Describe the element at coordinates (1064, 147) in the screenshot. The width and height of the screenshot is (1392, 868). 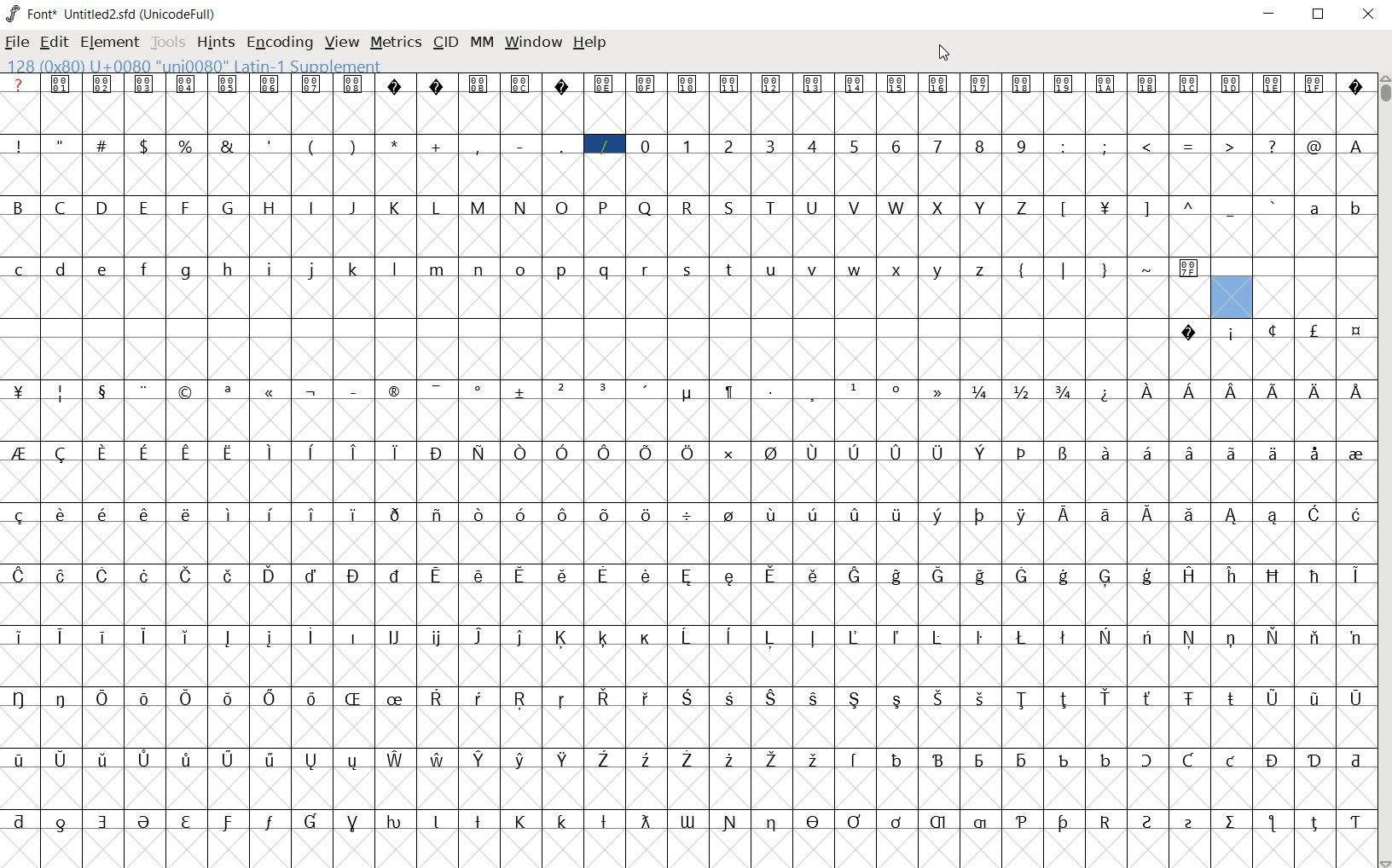
I see `glyph` at that location.